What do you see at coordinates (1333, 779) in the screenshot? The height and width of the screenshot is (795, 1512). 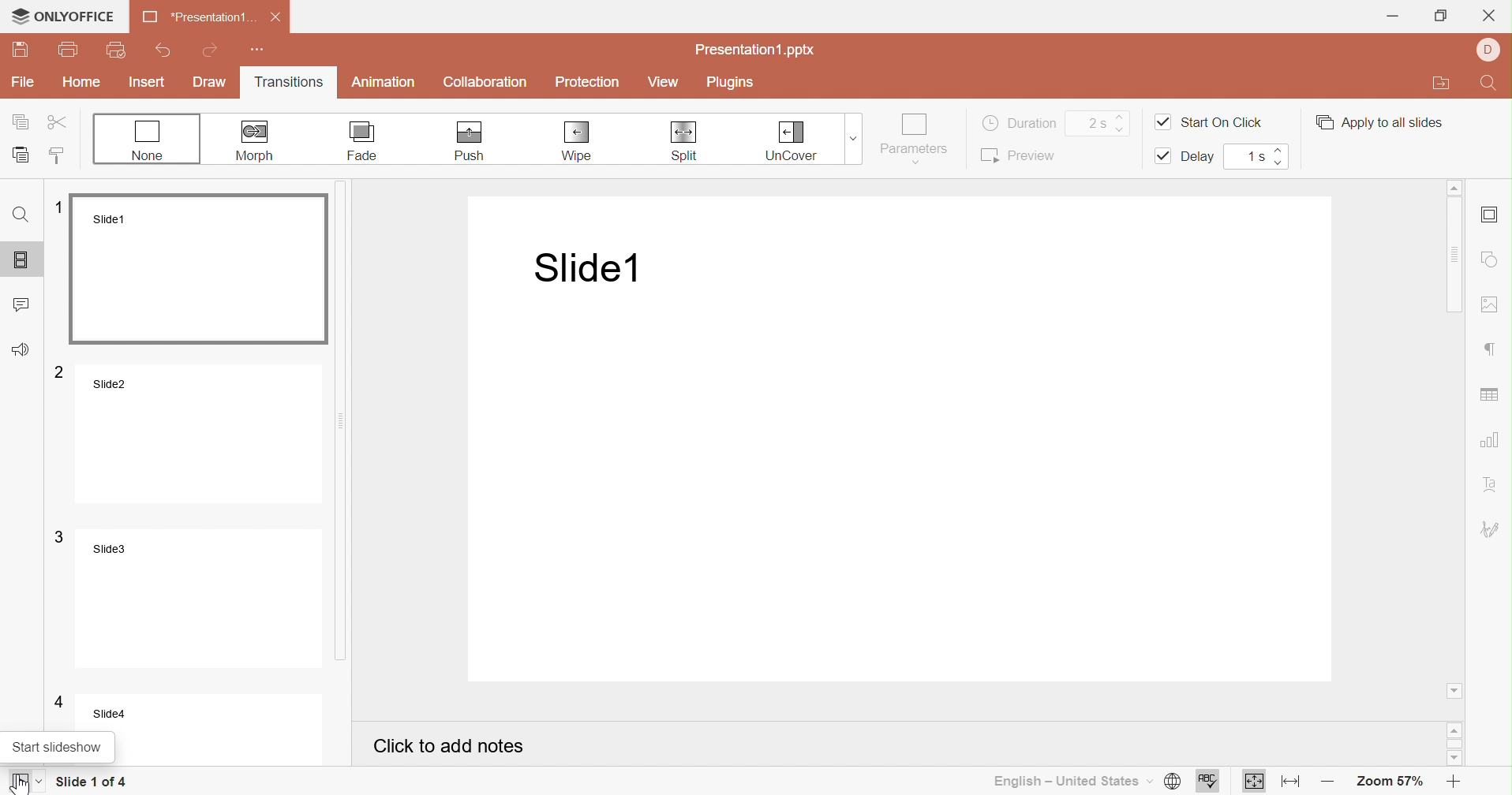 I see `Zoom out` at bounding box center [1333, 779].